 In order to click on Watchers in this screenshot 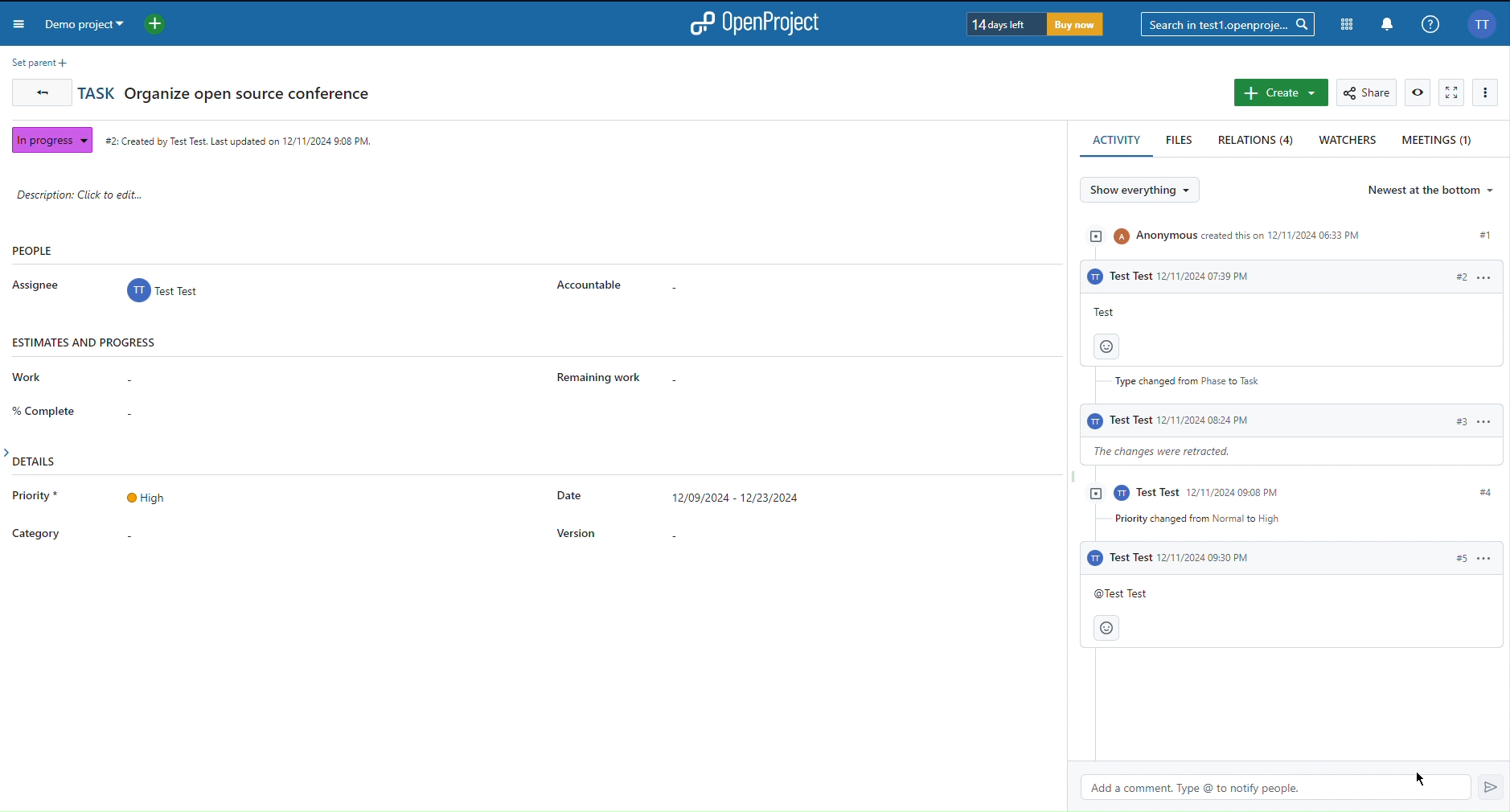, I will do `click(1348, 141)`.